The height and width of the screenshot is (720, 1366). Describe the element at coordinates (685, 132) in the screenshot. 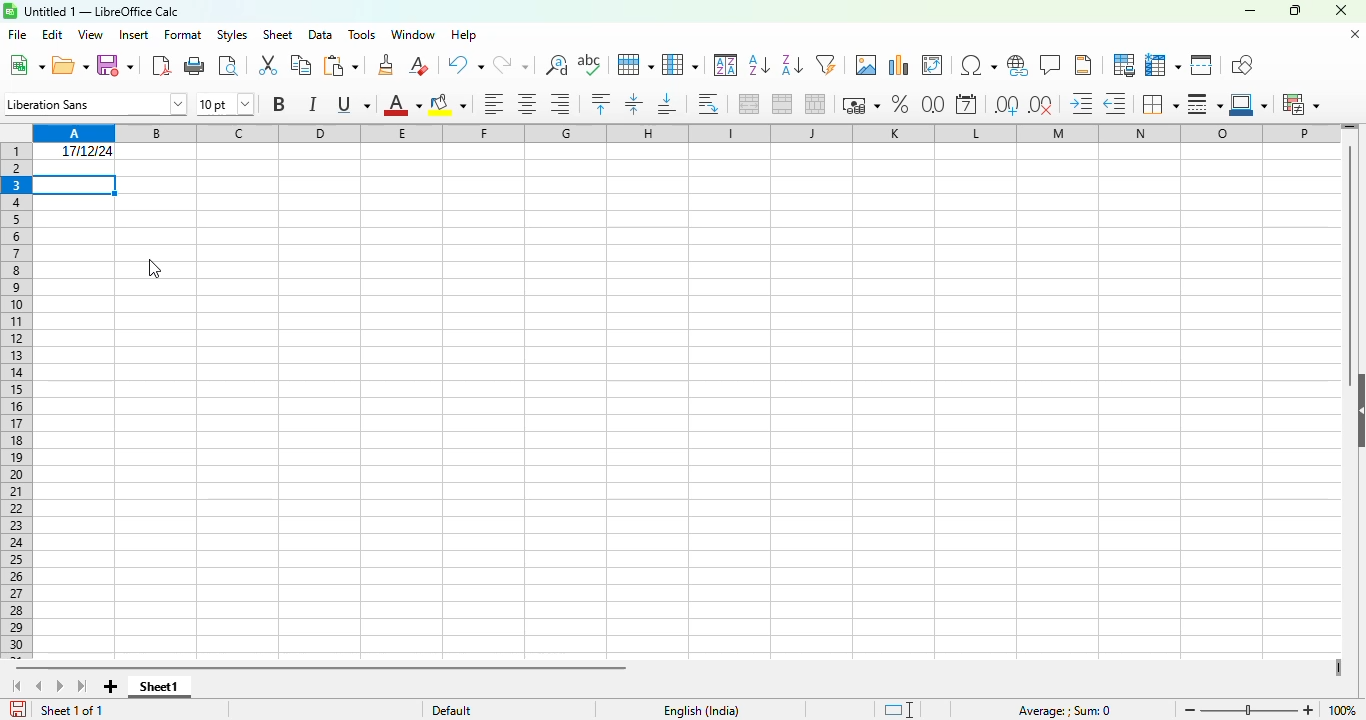

I see `columns` at that location.